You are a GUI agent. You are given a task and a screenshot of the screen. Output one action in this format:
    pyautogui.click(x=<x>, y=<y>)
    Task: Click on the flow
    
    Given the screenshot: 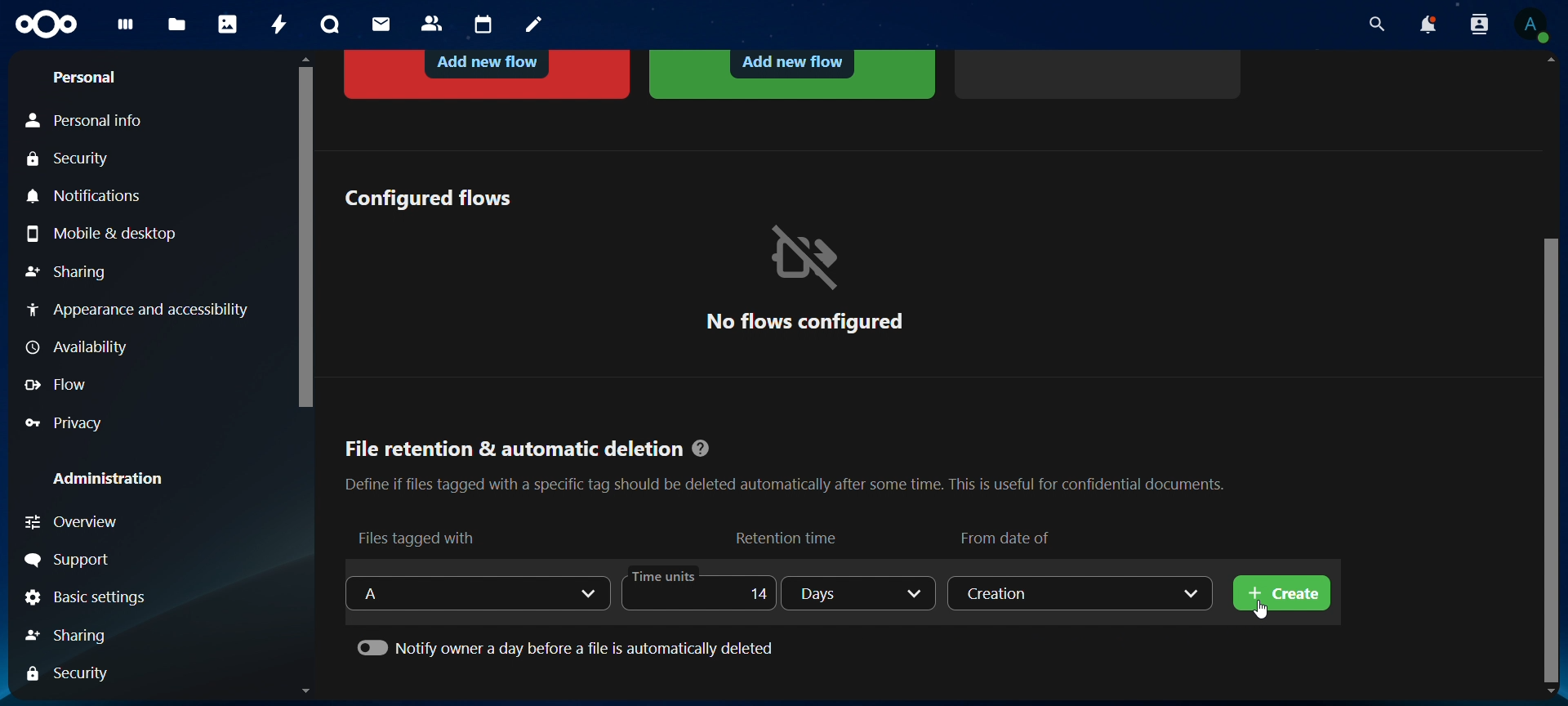 What is the action you would take?
    pyautogui.click(x=60, y=385)
    